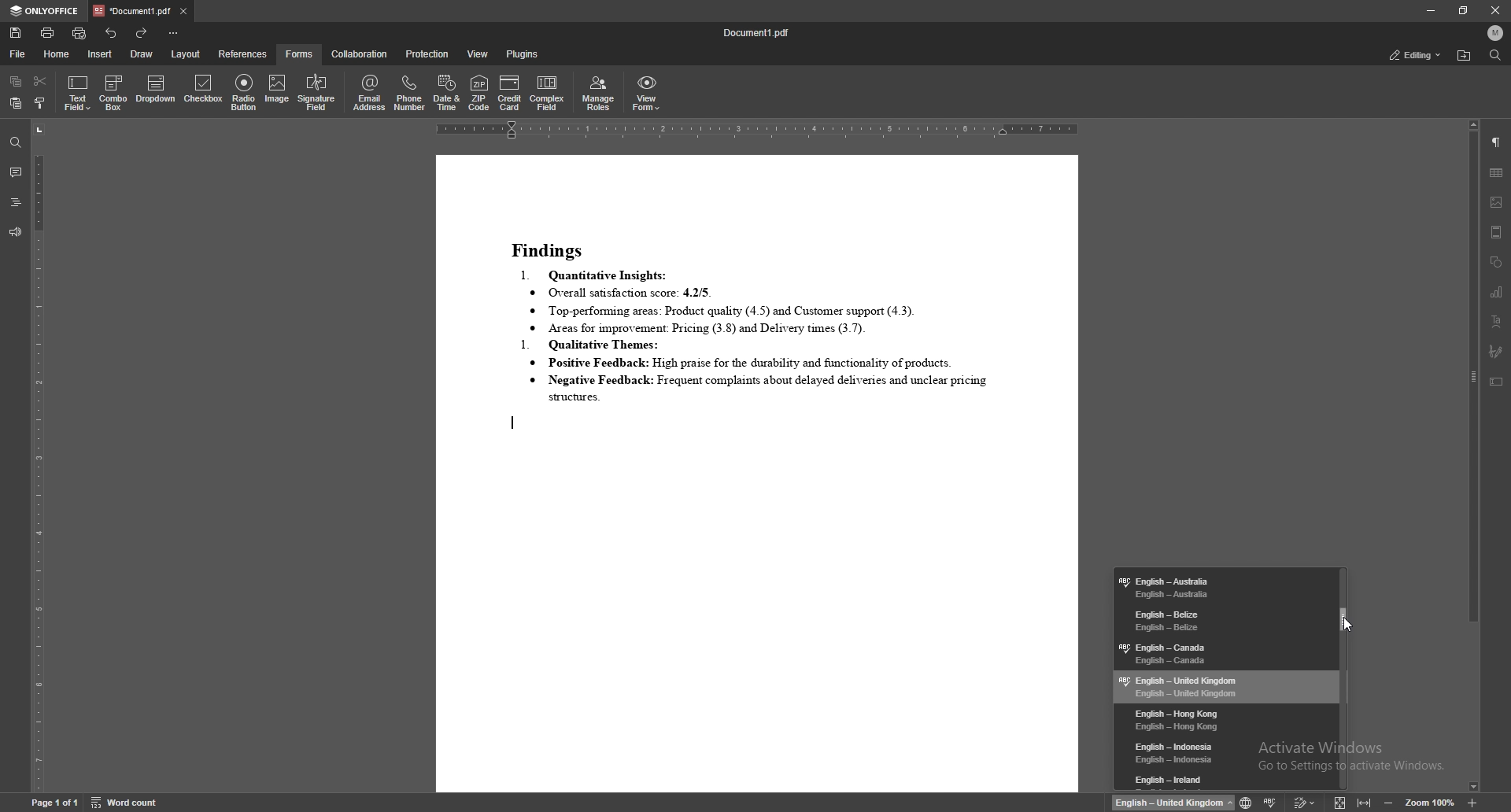  I want to click on chart, so click(1498, 292).